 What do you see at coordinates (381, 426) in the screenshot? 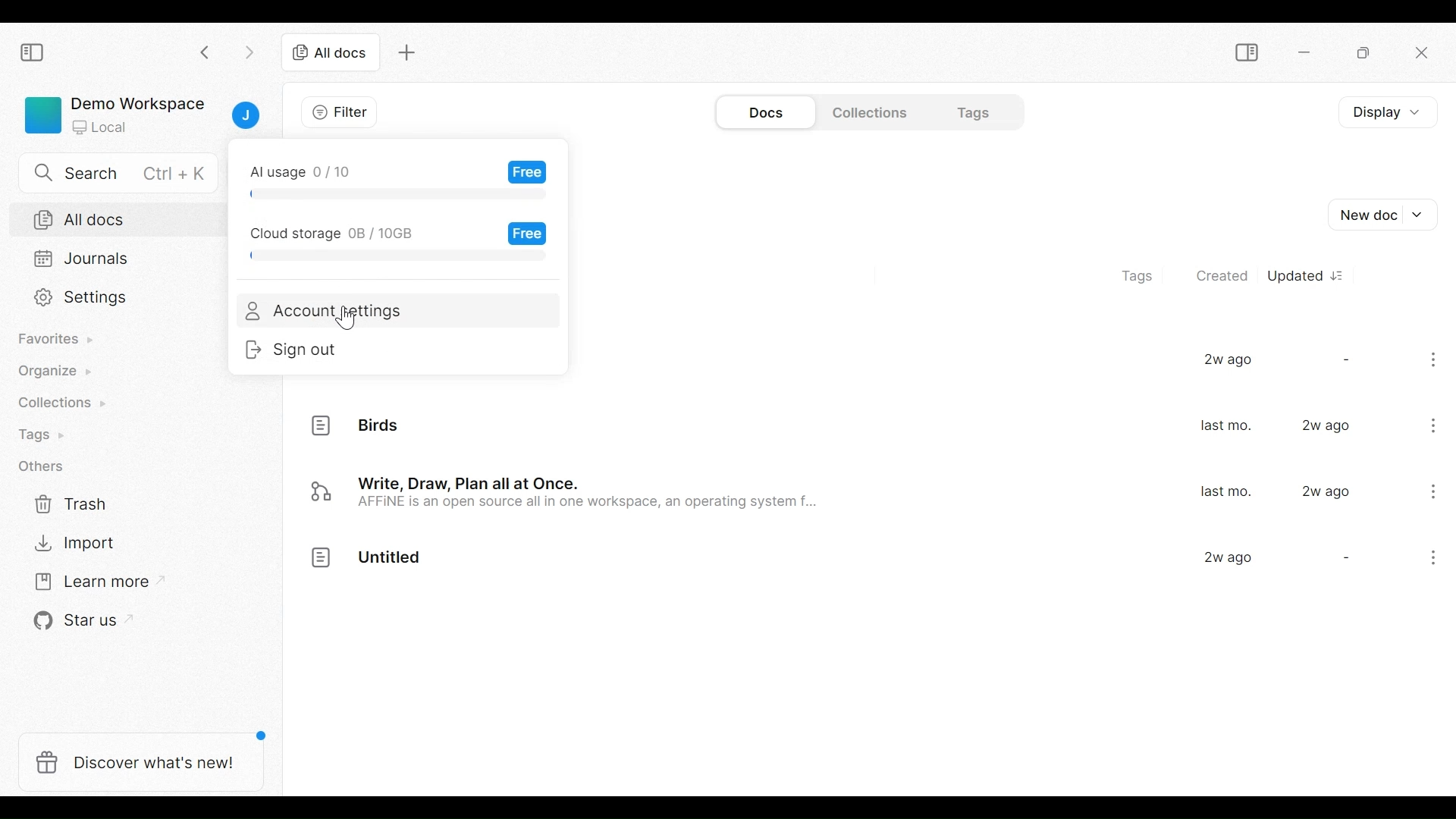
I see `Birds` at bounding box center [381, 426].